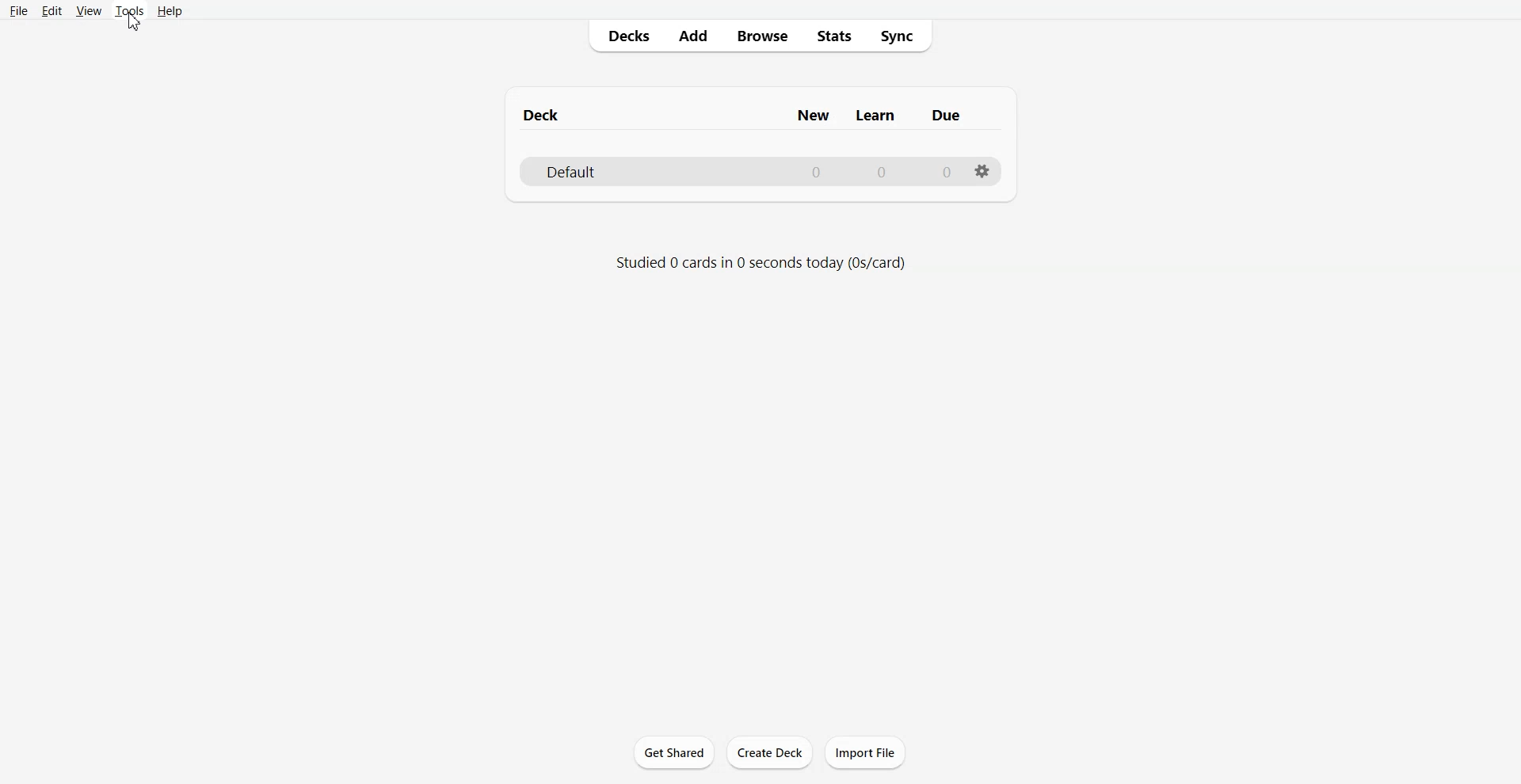 This screenshot has height=784, width=1521. I want to click on File, so click(19, 10).